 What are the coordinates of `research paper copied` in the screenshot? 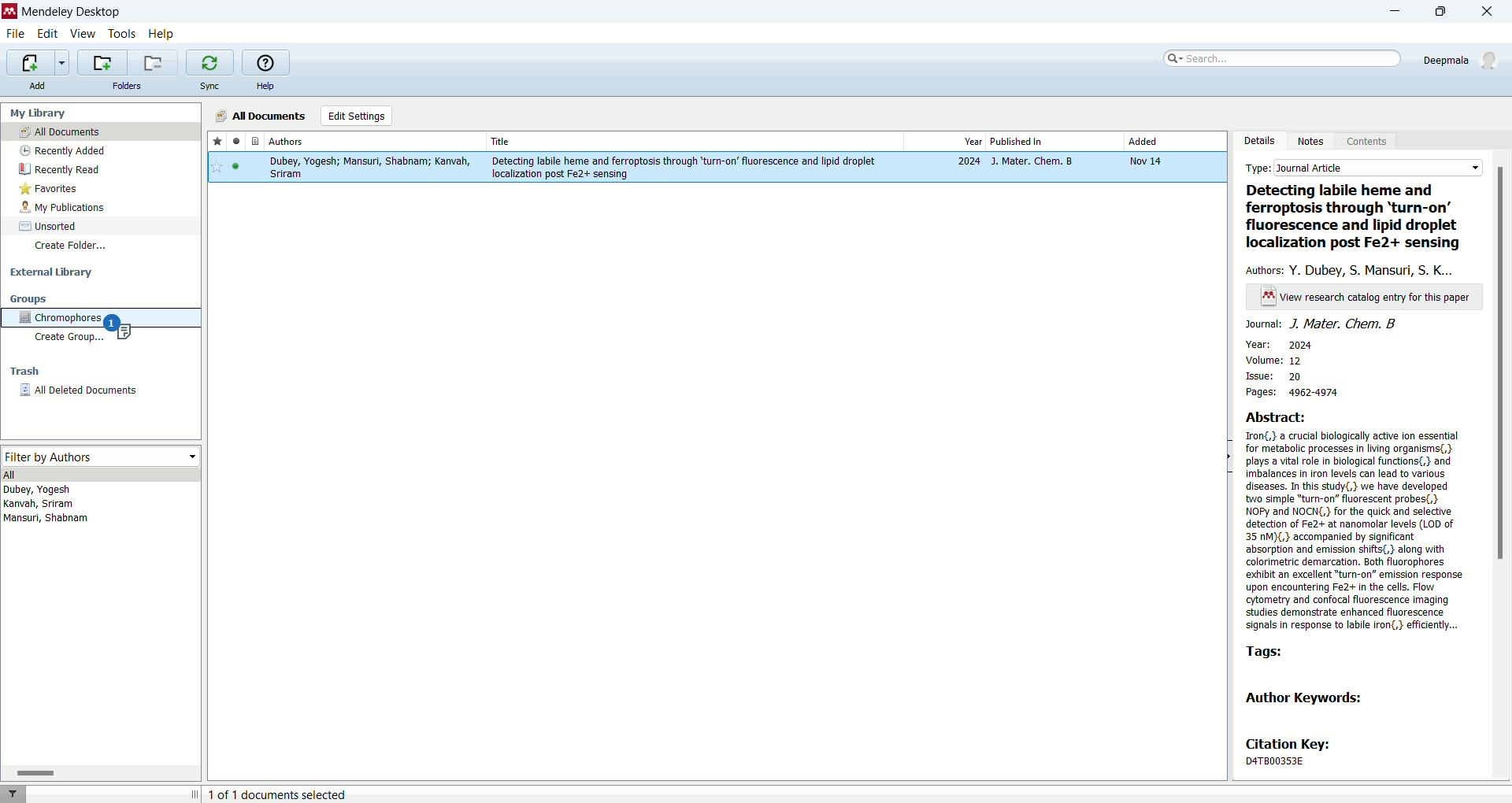 It's located at (120, 328).